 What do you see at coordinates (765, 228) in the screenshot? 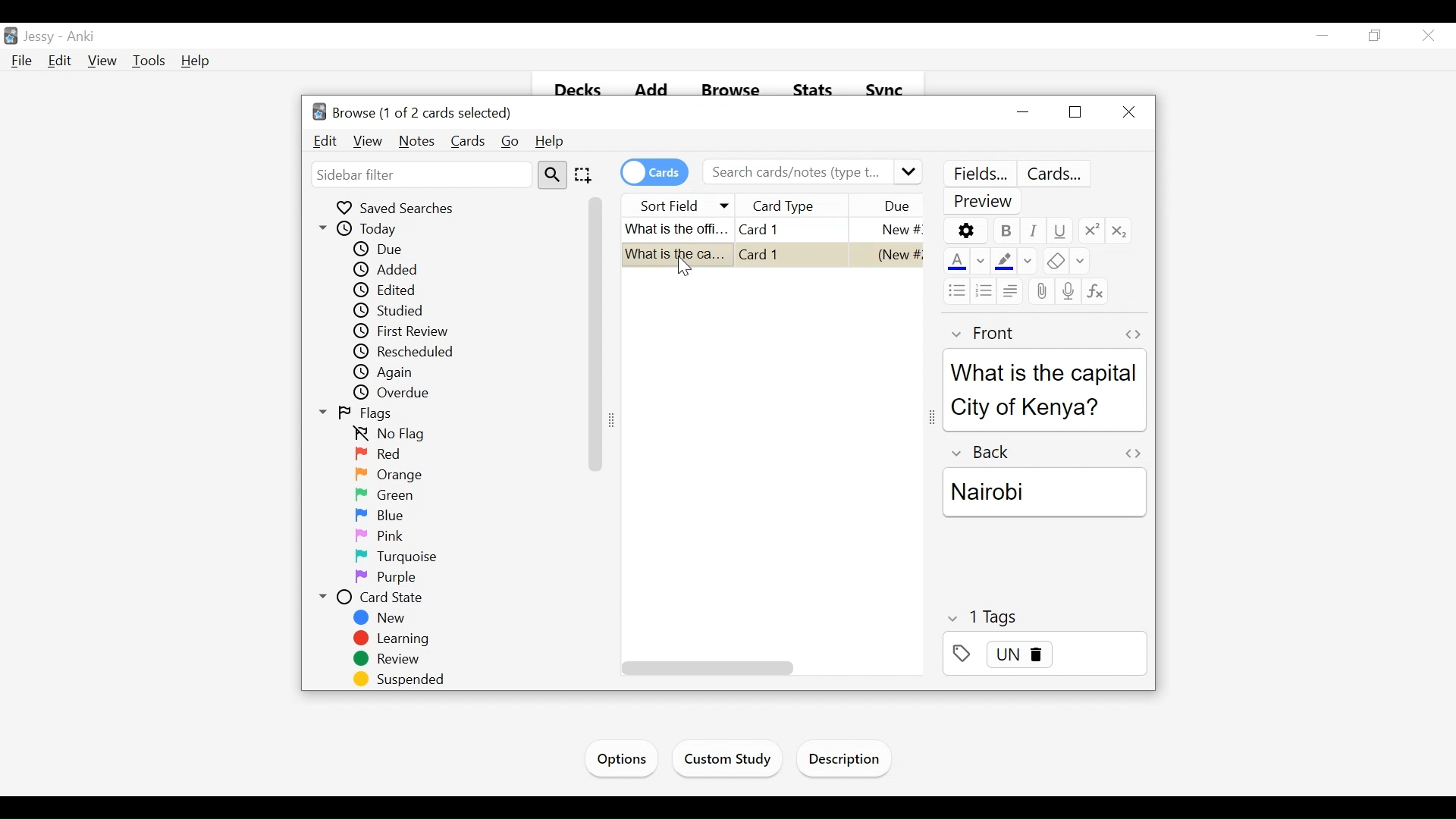
I see `Card` at bounding box center [765, 228].